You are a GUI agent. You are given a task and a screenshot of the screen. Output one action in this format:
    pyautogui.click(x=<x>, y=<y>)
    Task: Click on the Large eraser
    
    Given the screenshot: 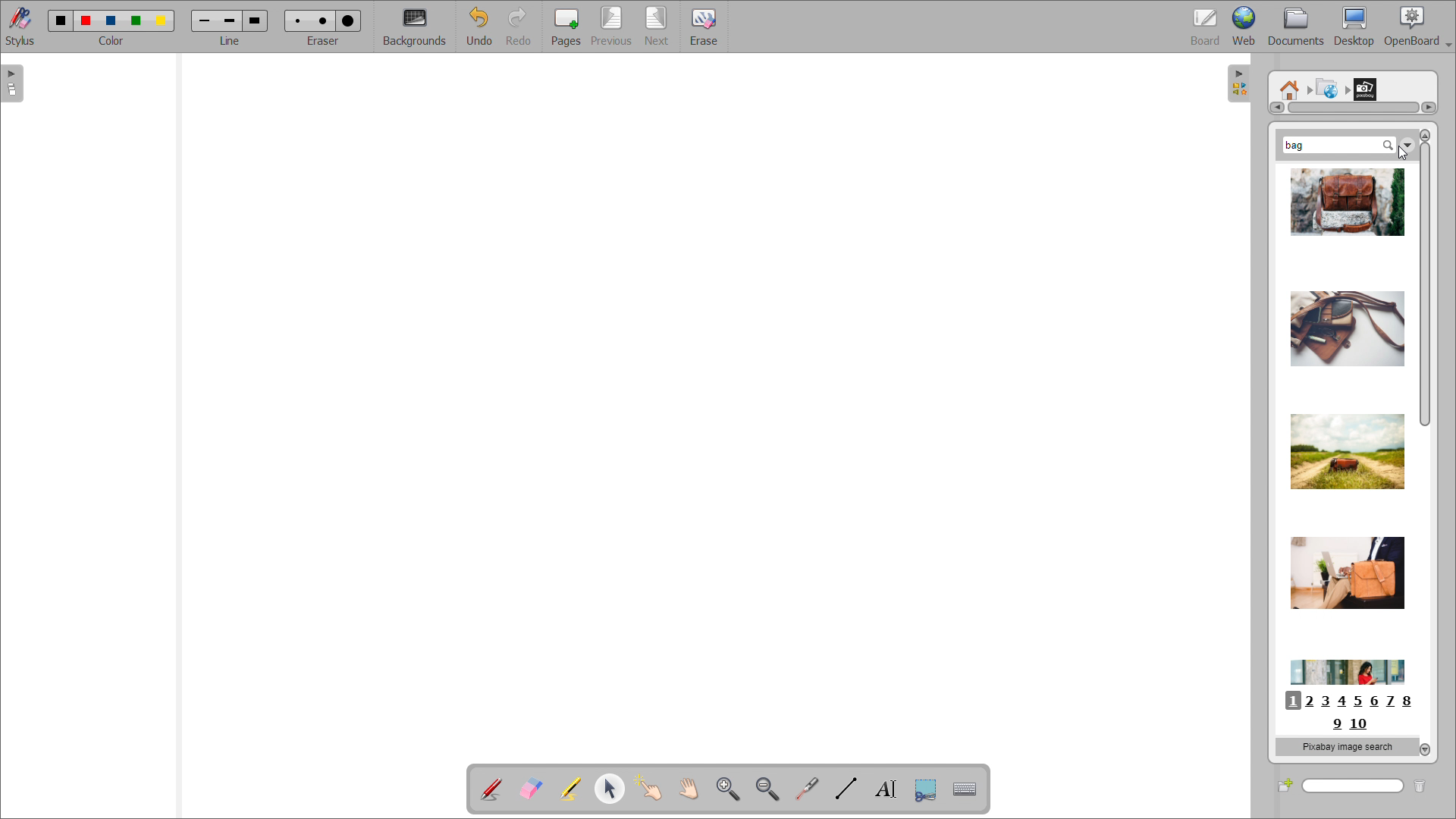 What is the action you would take?
    pyautogui.click(x=351, y=18)
    